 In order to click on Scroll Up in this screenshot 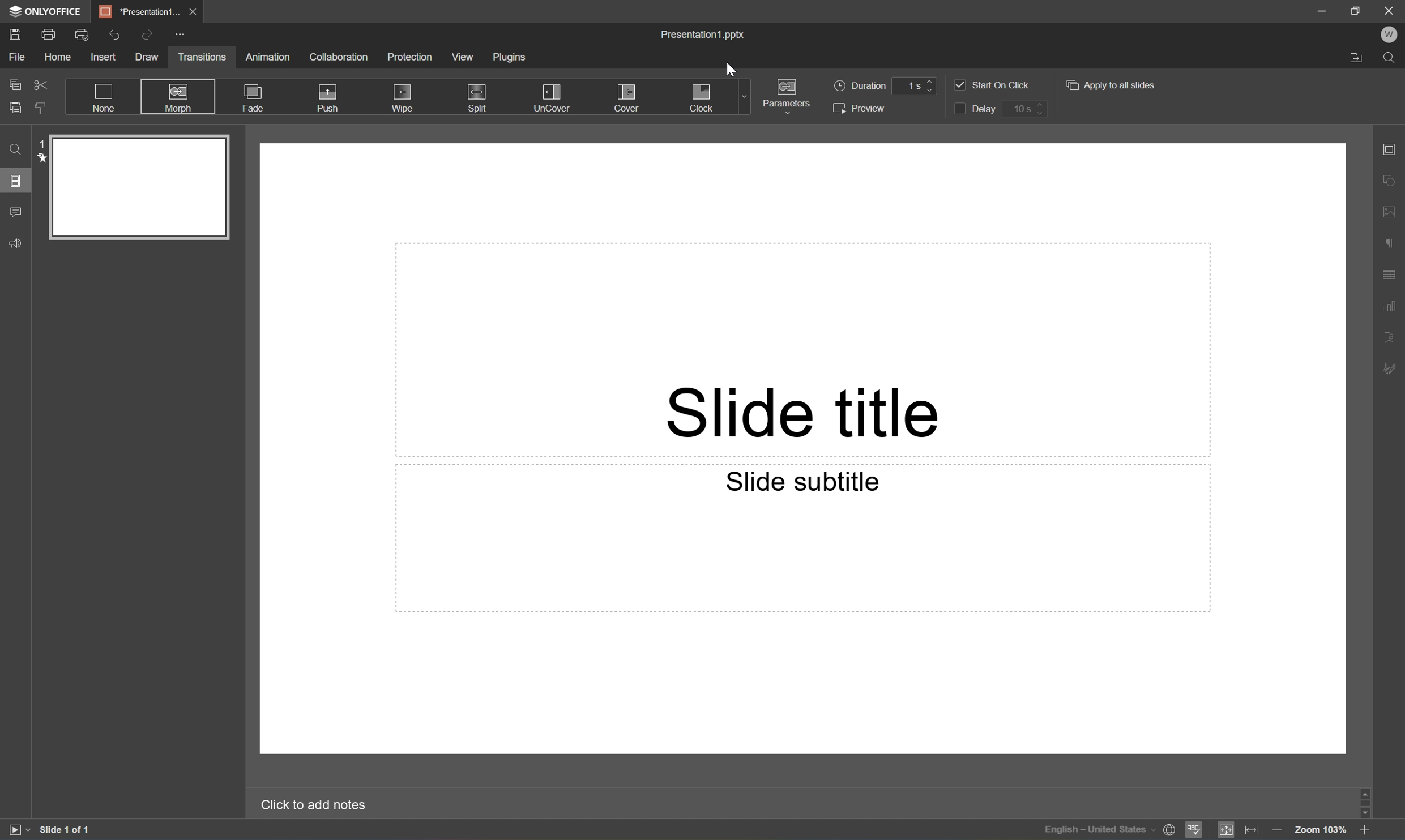, I will do `click(1362, 788)`.